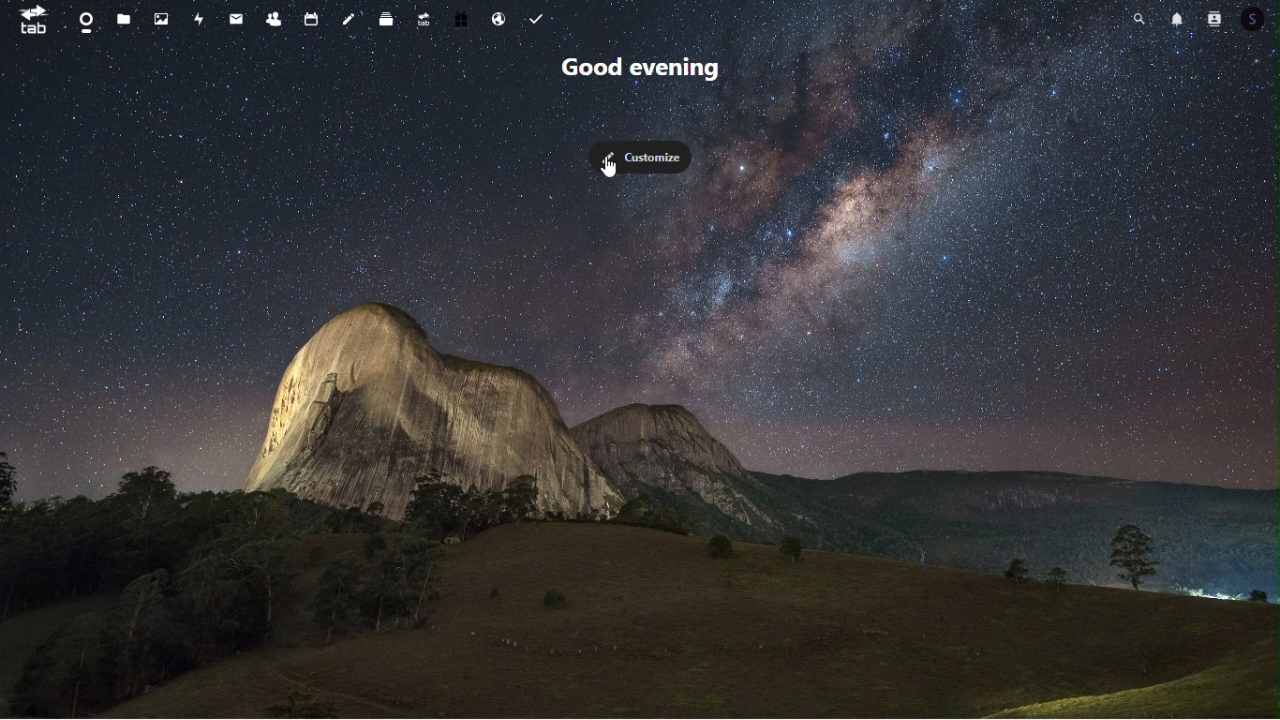 This screenshot has height=720, width=1280. What do you see at coordinates (501, 19) in the screenshot?
I see `email hosting` at bounding box center [501, 19].